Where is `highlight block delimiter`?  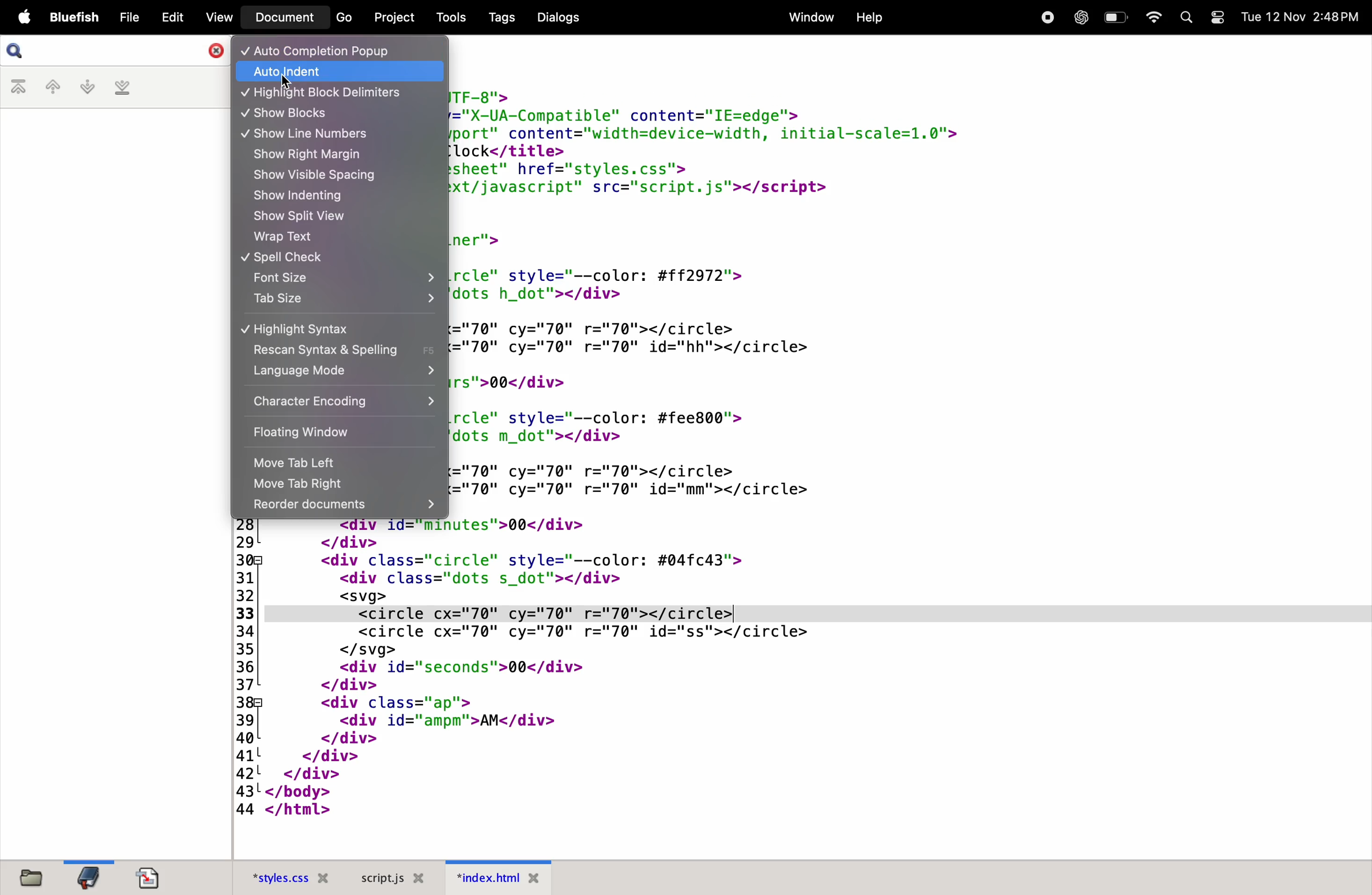 highlight block delimiter is located at coordinates (337, 95).